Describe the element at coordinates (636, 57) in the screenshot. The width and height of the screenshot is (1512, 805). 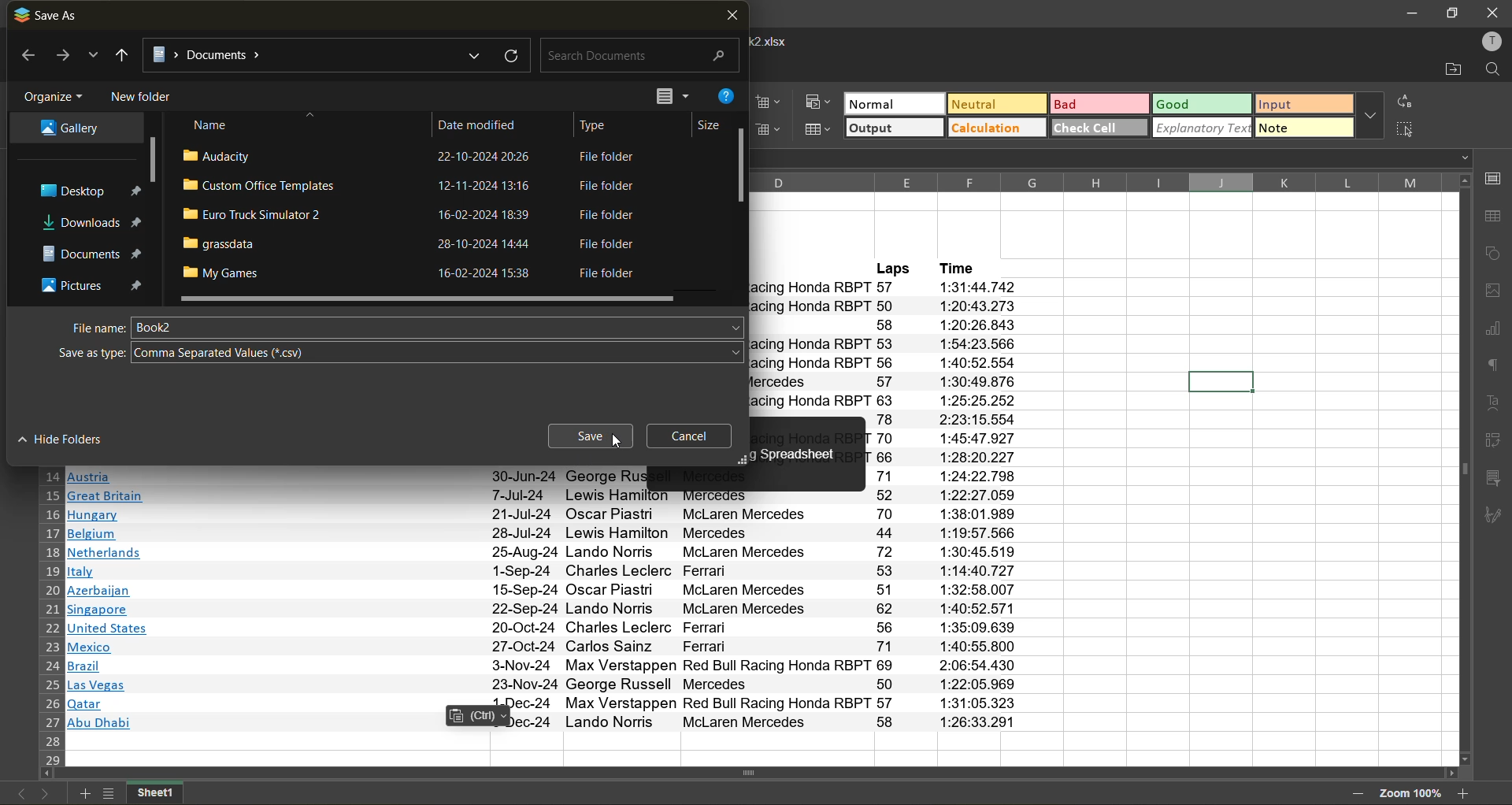
I see `search` at that location.